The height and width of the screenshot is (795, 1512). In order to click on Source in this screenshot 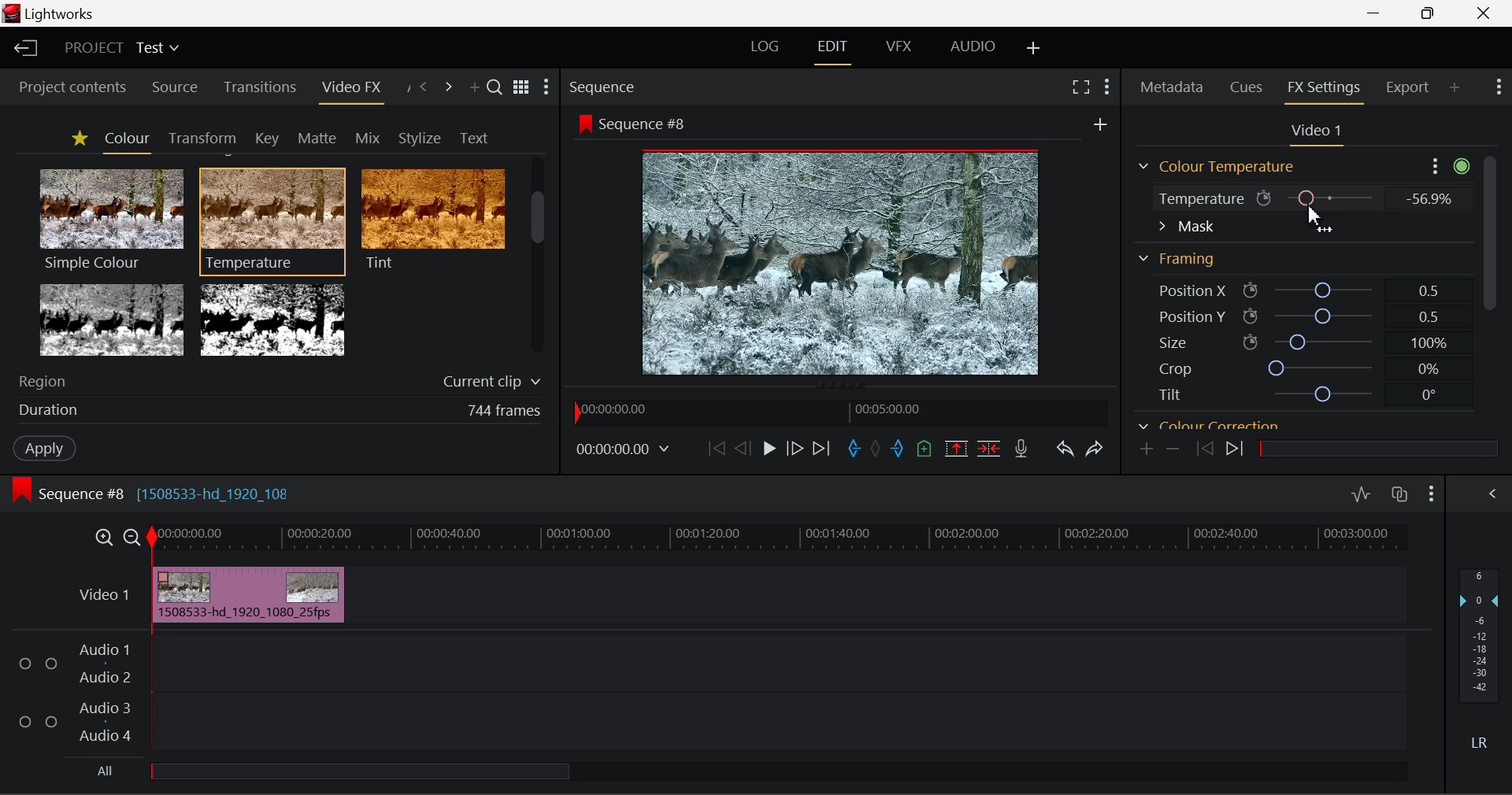, I will do `click(176, 90)`.